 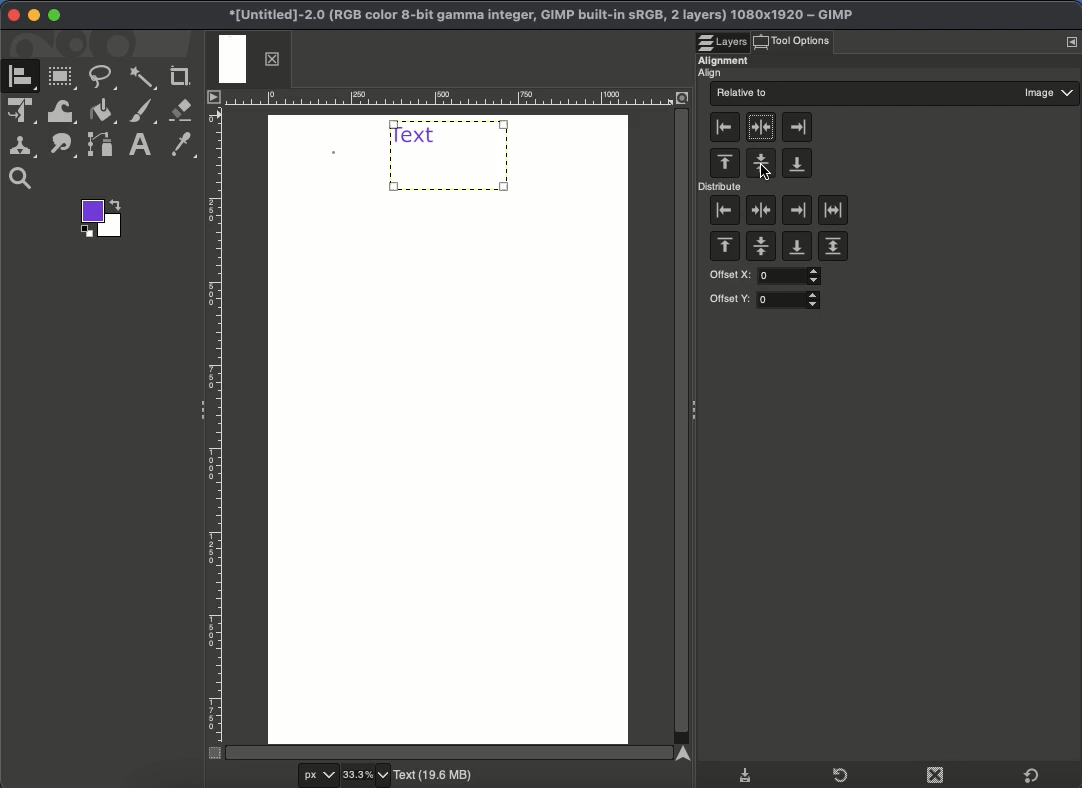 What do you see at coordinates (61, 111) in the screenshot?
I see `Warp transformation` at bounding box center [61, 111].